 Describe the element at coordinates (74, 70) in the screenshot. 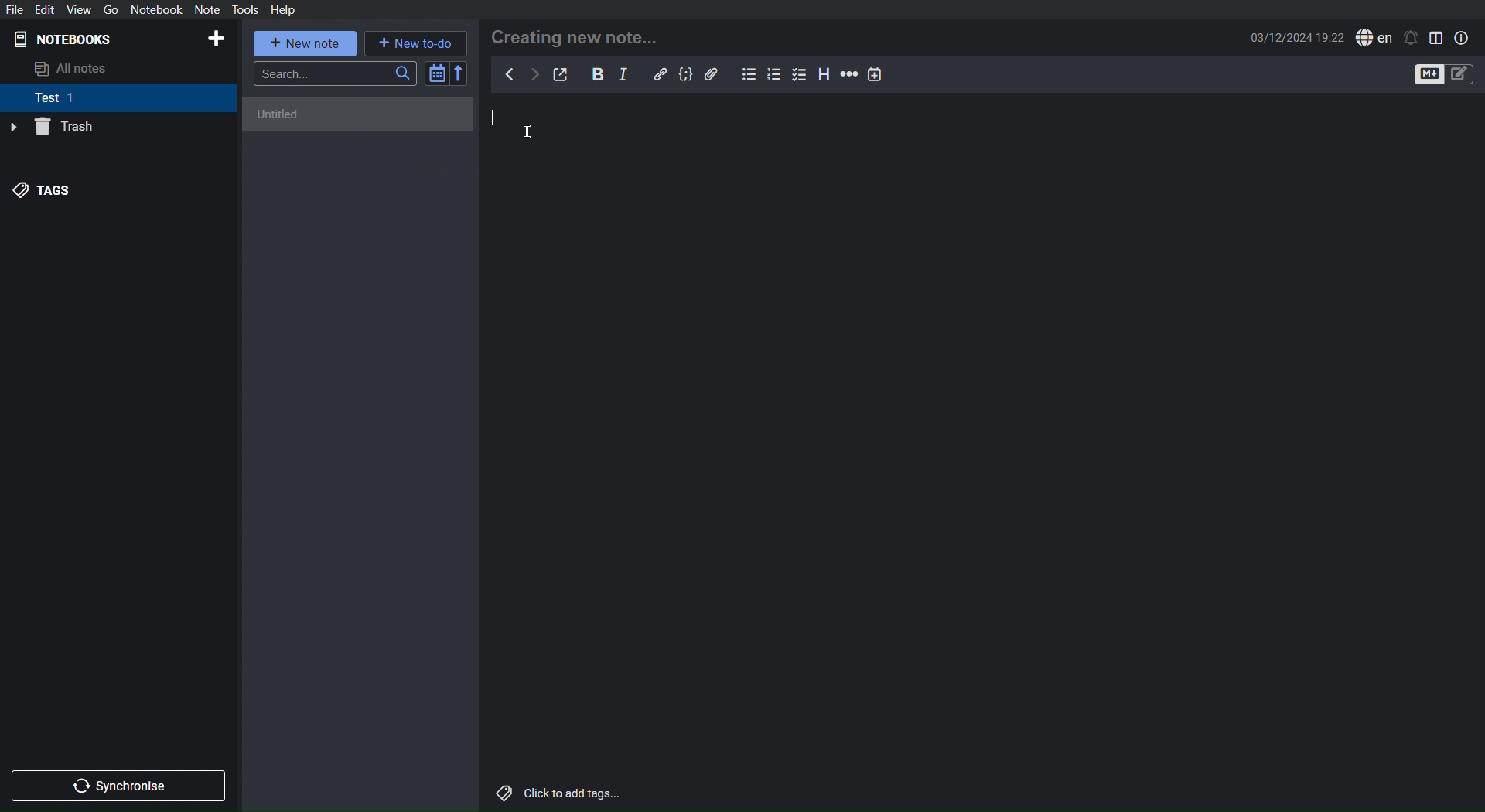

I see `All notes` at that location.